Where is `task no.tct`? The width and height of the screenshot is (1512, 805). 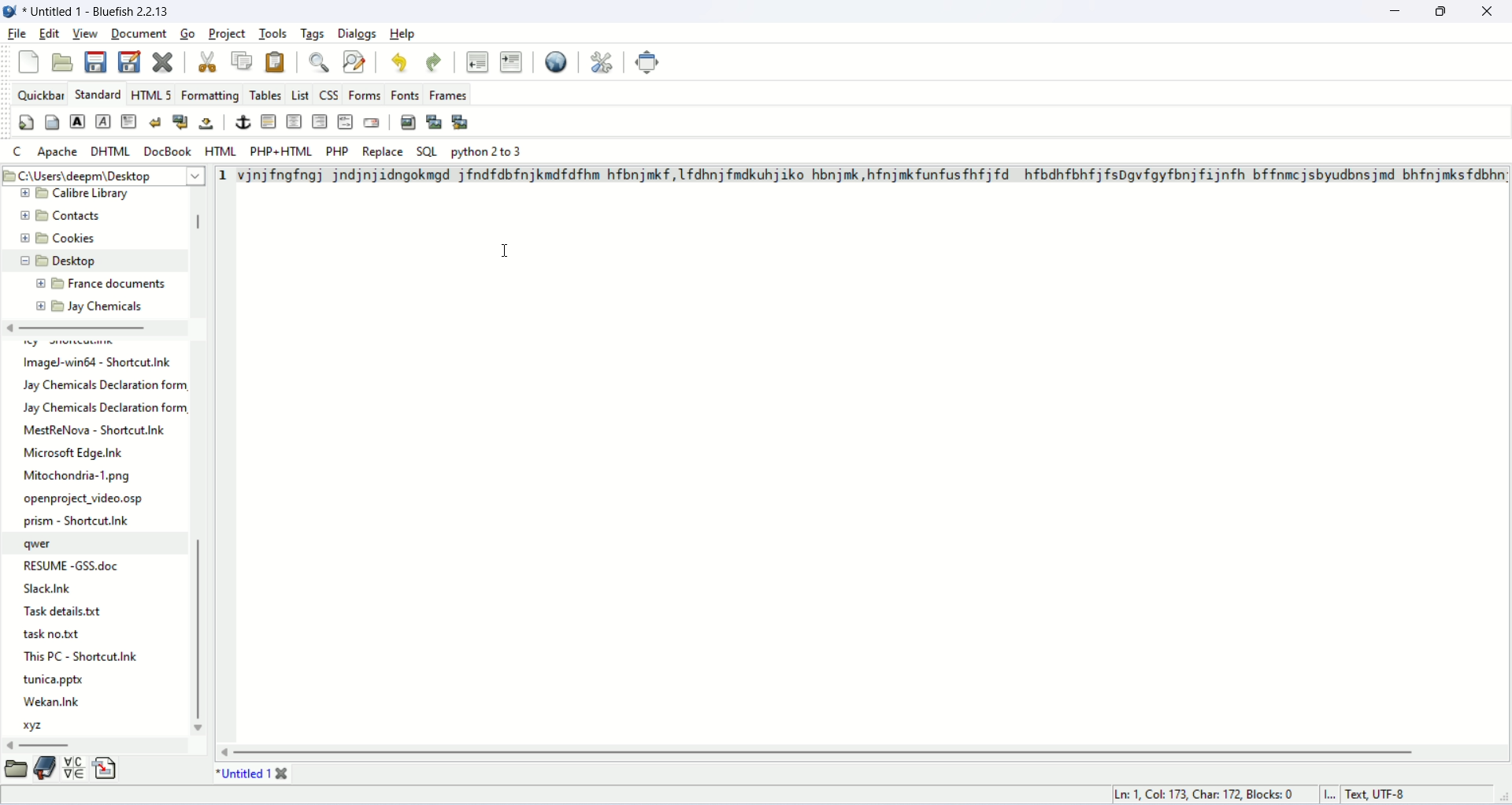
task no.tct is located at coordinates (56, 632).